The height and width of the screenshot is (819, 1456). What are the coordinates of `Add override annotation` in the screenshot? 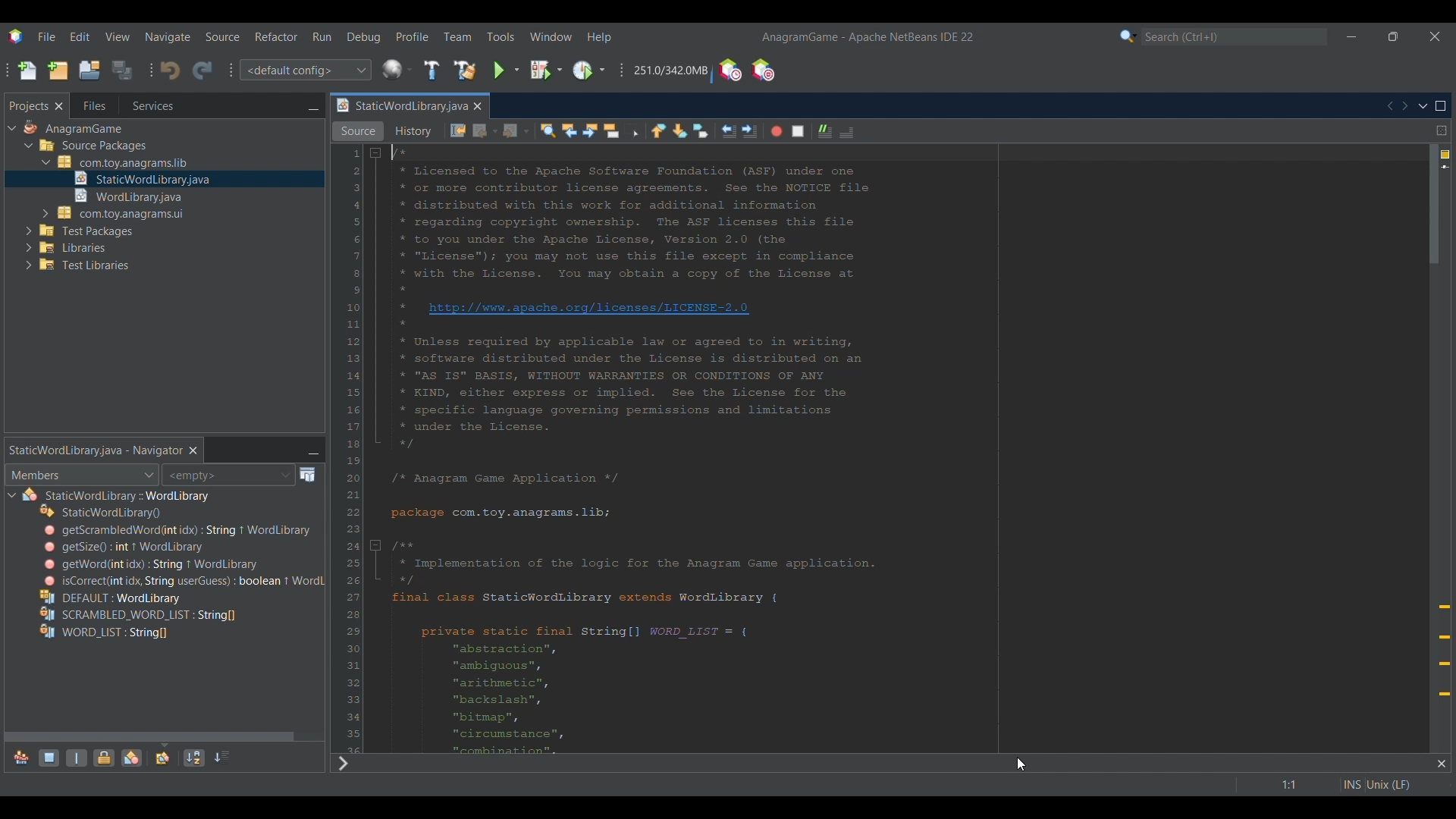 It's located at (1444, 651).